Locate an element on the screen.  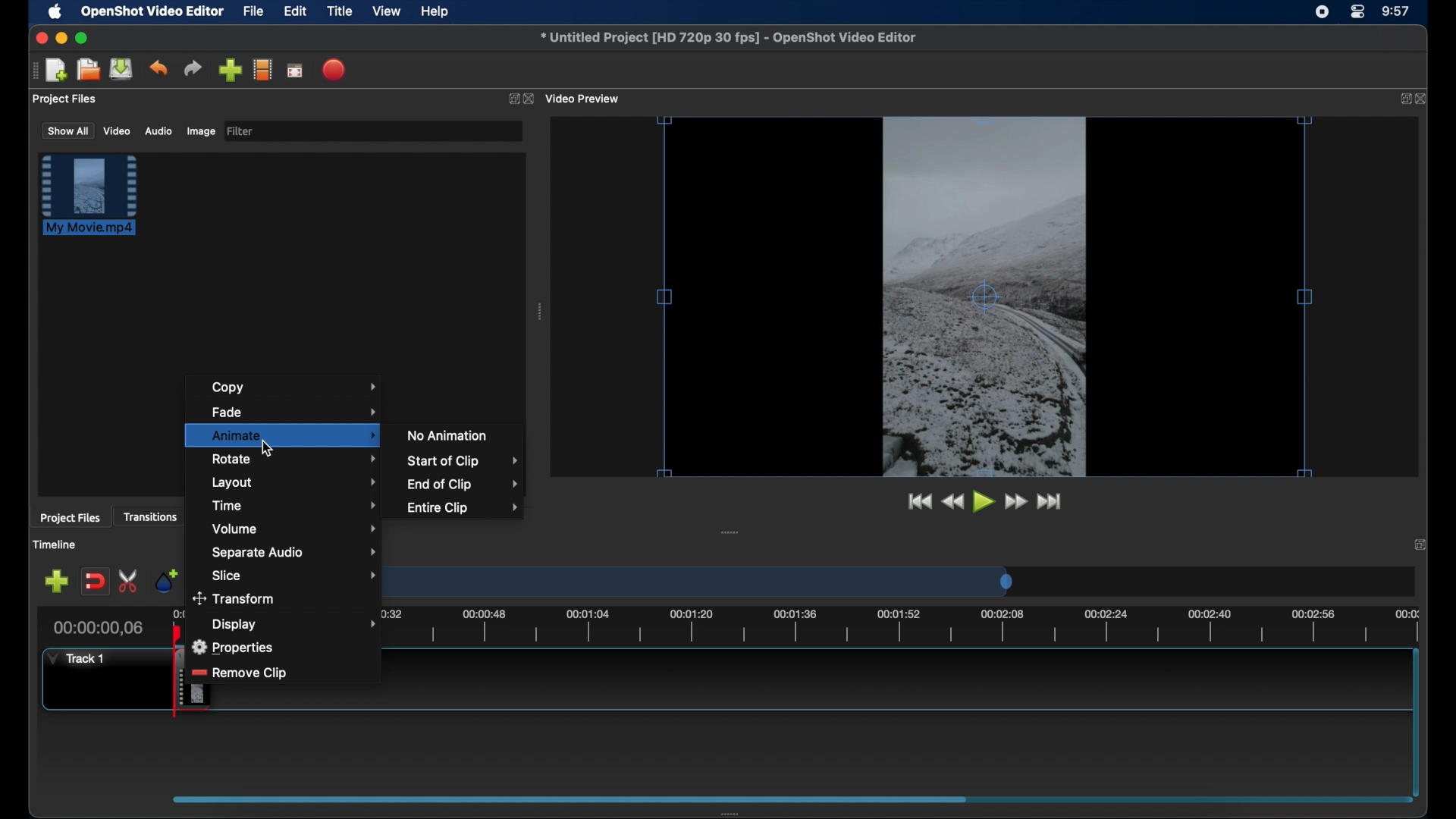
0.00 is located at coordinates (180, 615).